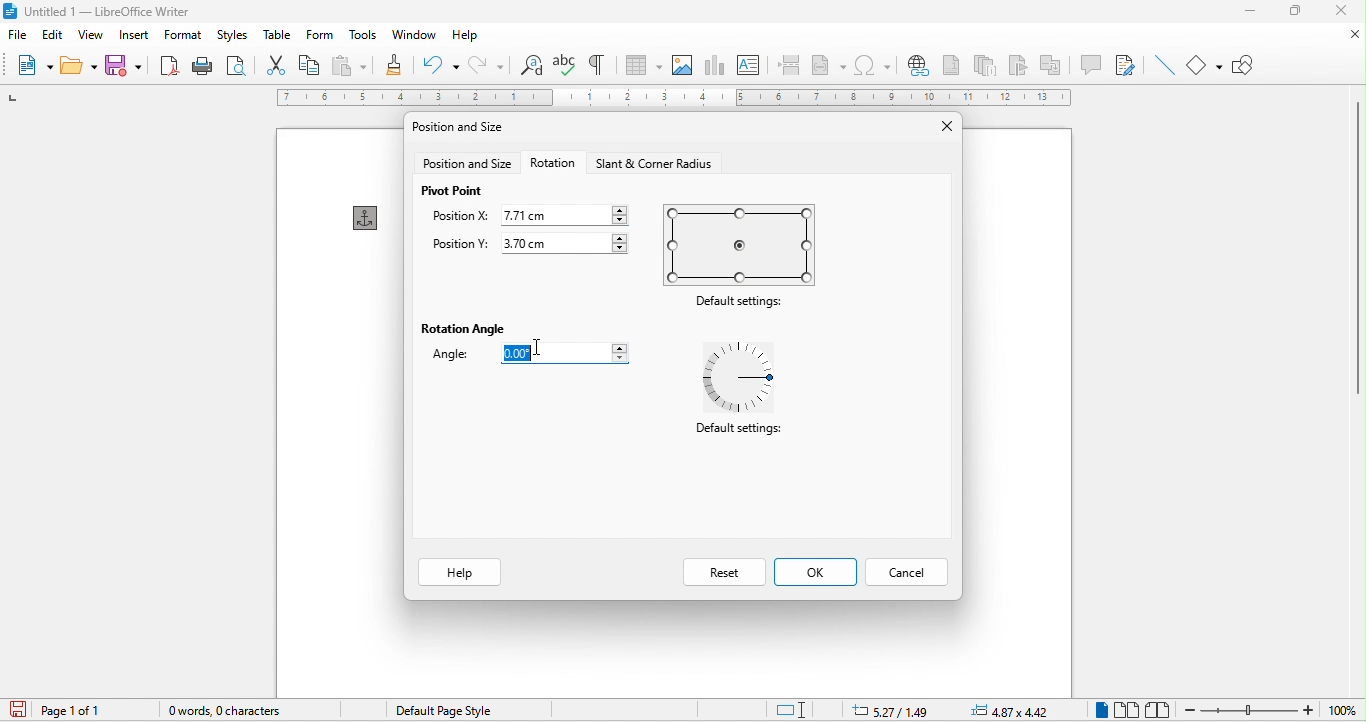  What do you see at coordinates (445, 355) in the screenshot?
I see `angle` at bounding box center [445, 355].